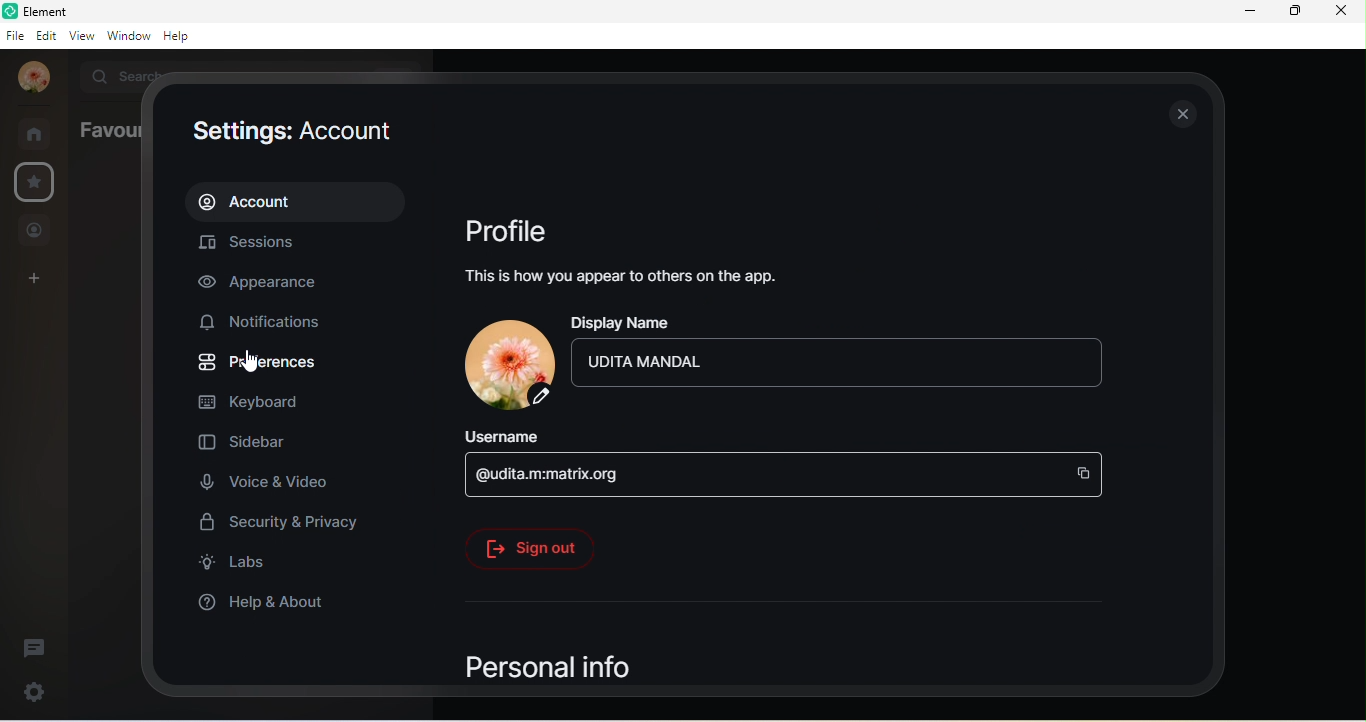  Describe the element at coordinates (246, 362) in the screenshot. I see `cursor movement` at that location.